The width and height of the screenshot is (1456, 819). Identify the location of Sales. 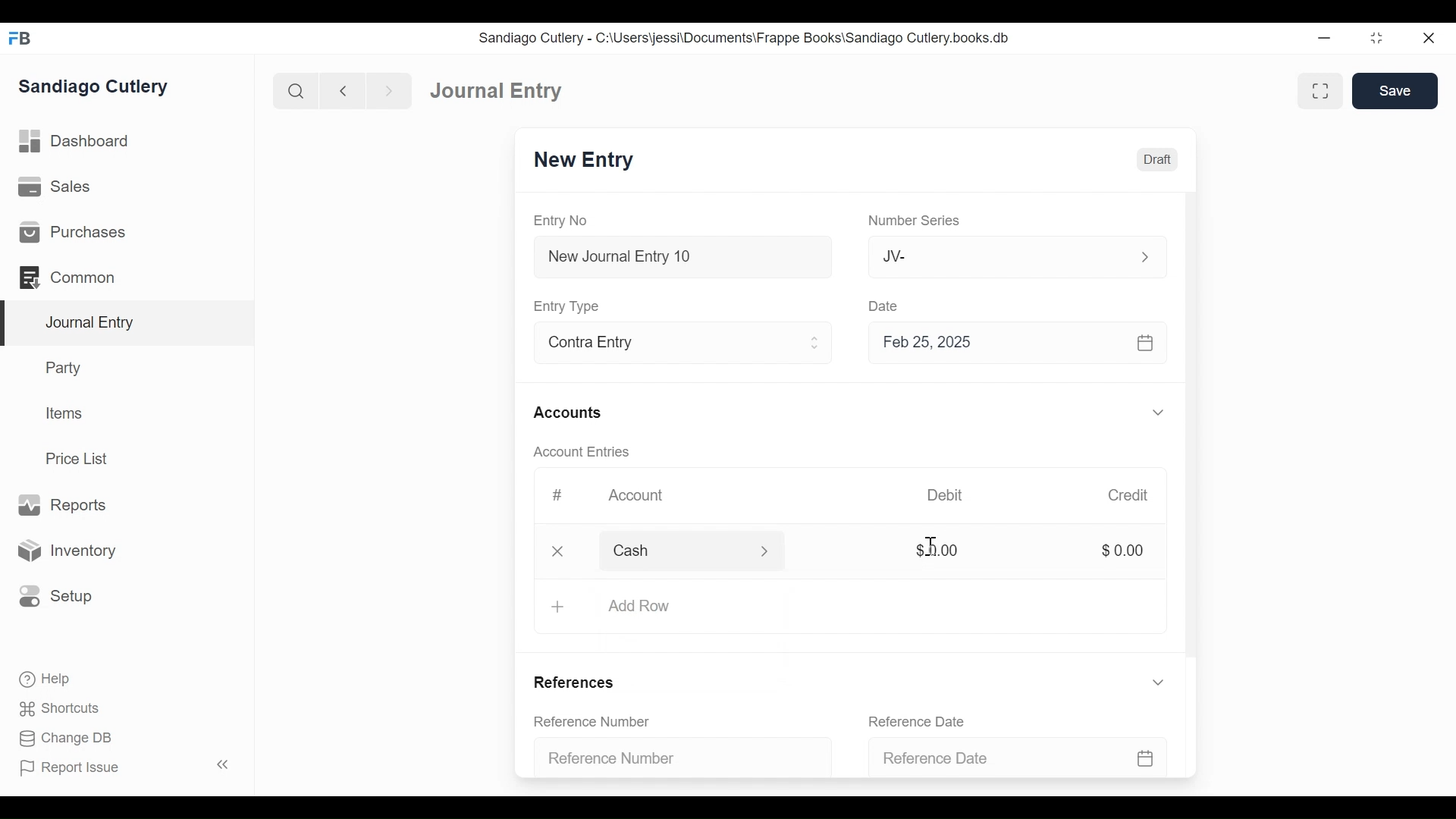
(53, 188).